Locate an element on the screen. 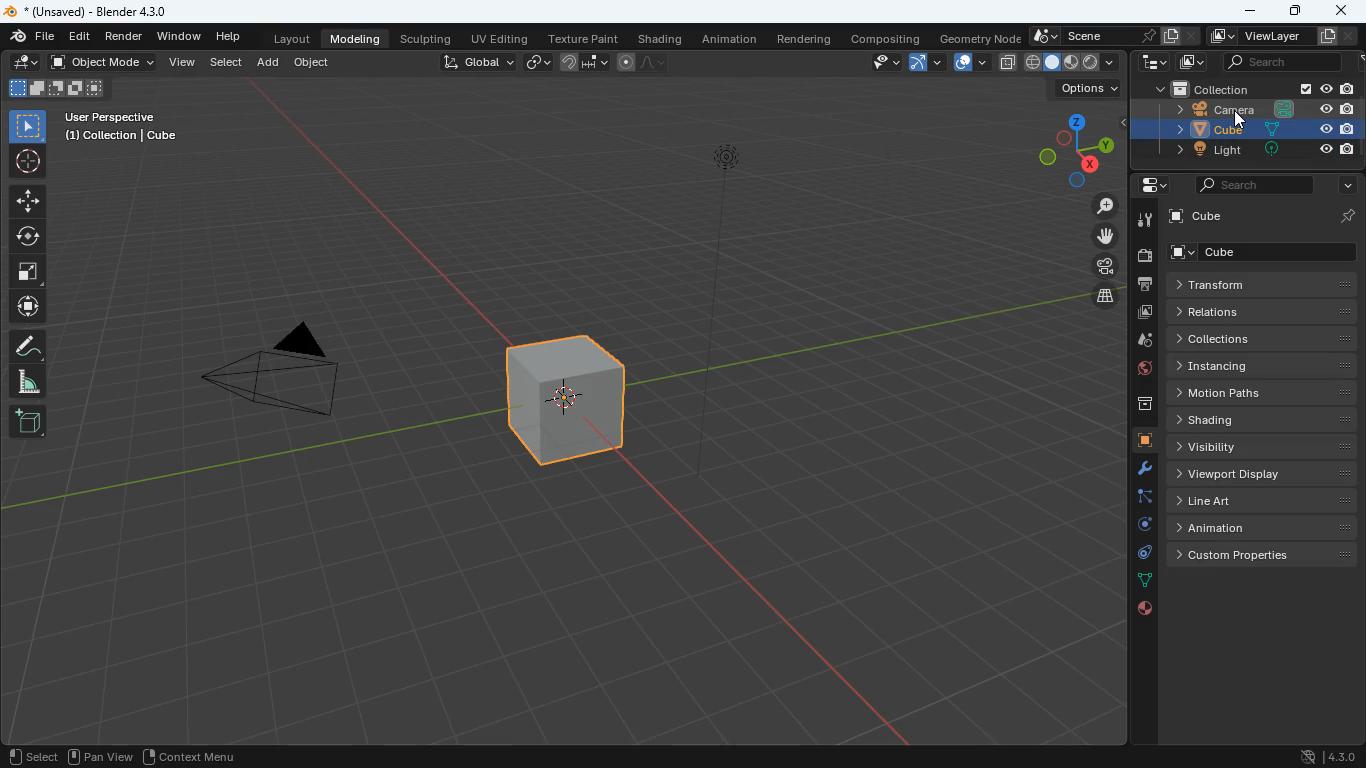 The image size is (1366, 768). instancing is located at coordinates (1263, 365).